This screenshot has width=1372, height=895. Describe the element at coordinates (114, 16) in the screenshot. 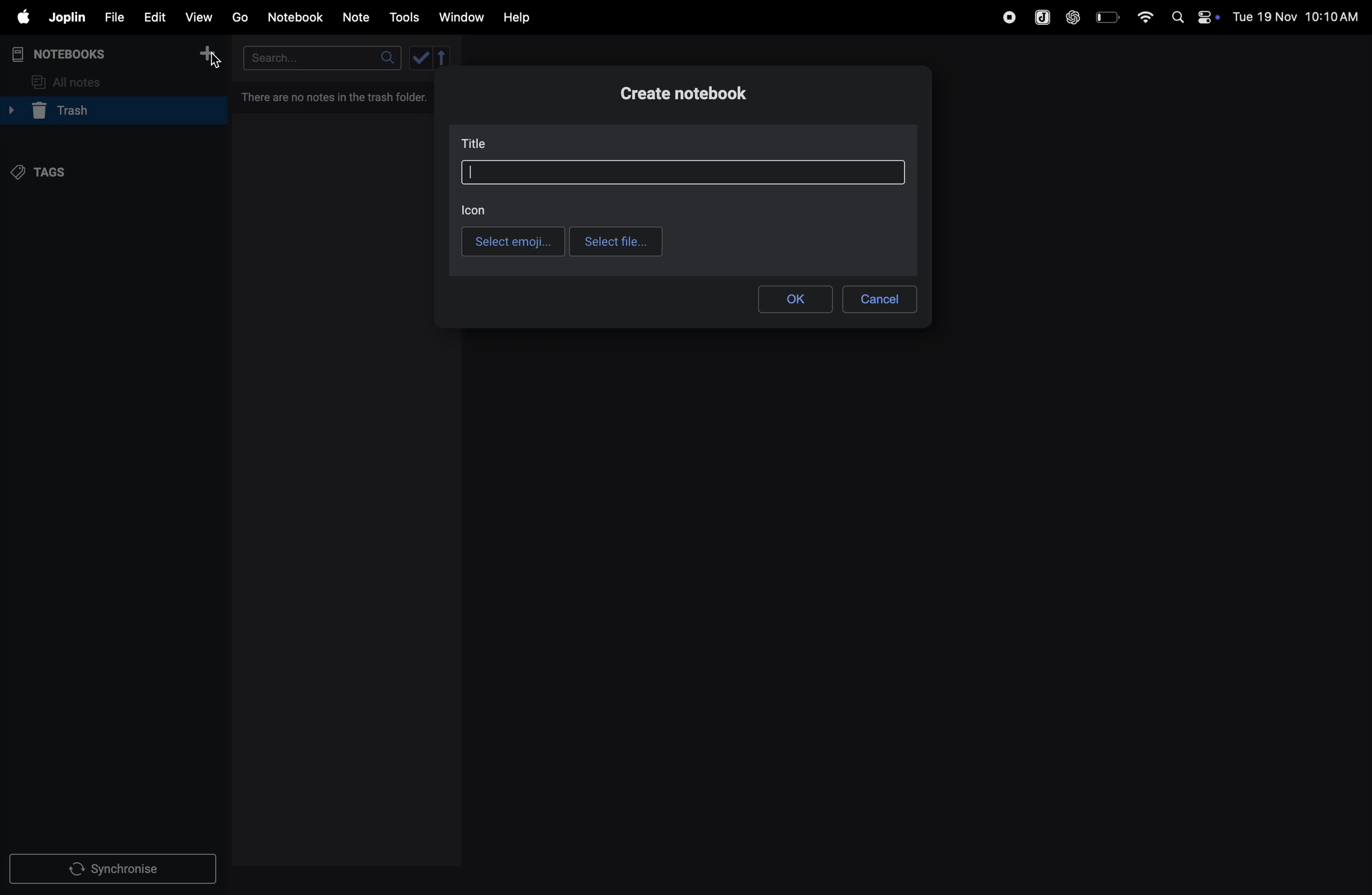

I see `file` at that location.